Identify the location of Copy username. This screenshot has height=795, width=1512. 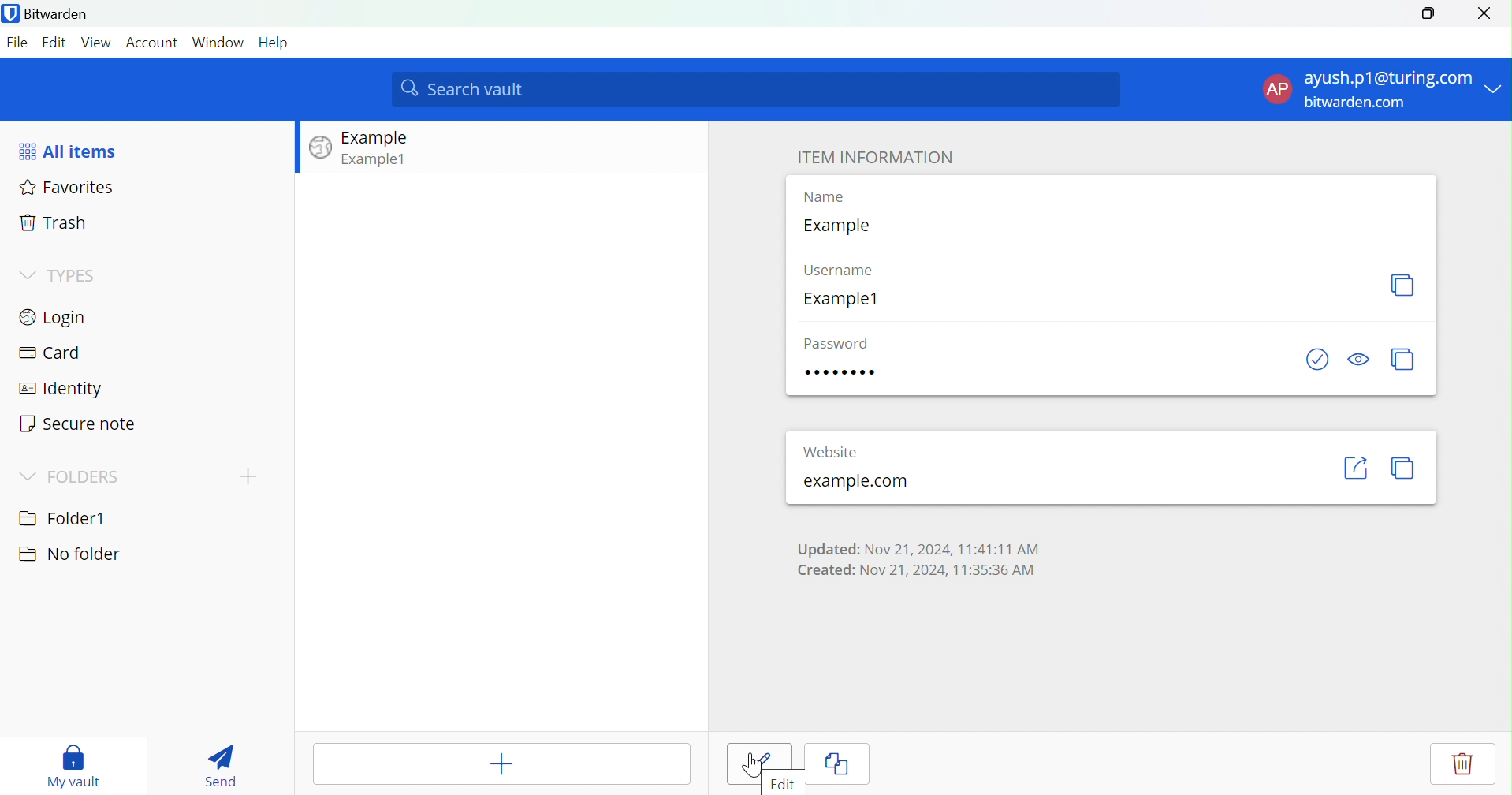
(1402, 286).